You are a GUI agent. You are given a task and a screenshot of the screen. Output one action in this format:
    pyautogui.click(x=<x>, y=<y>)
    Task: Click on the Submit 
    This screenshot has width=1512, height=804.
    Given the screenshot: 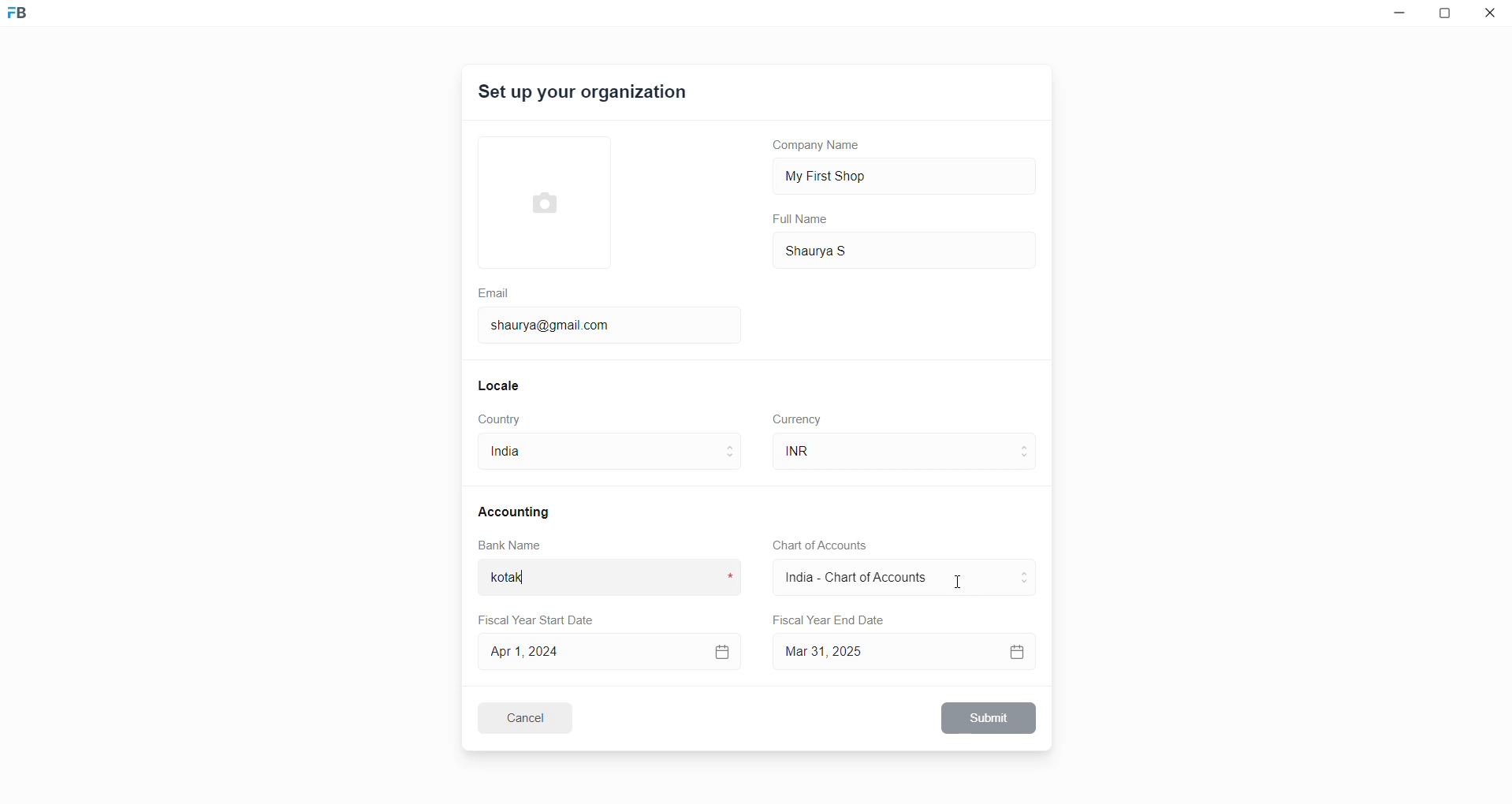 What is the action you would take?
    pyautogui.click(x=990, y=718)
    